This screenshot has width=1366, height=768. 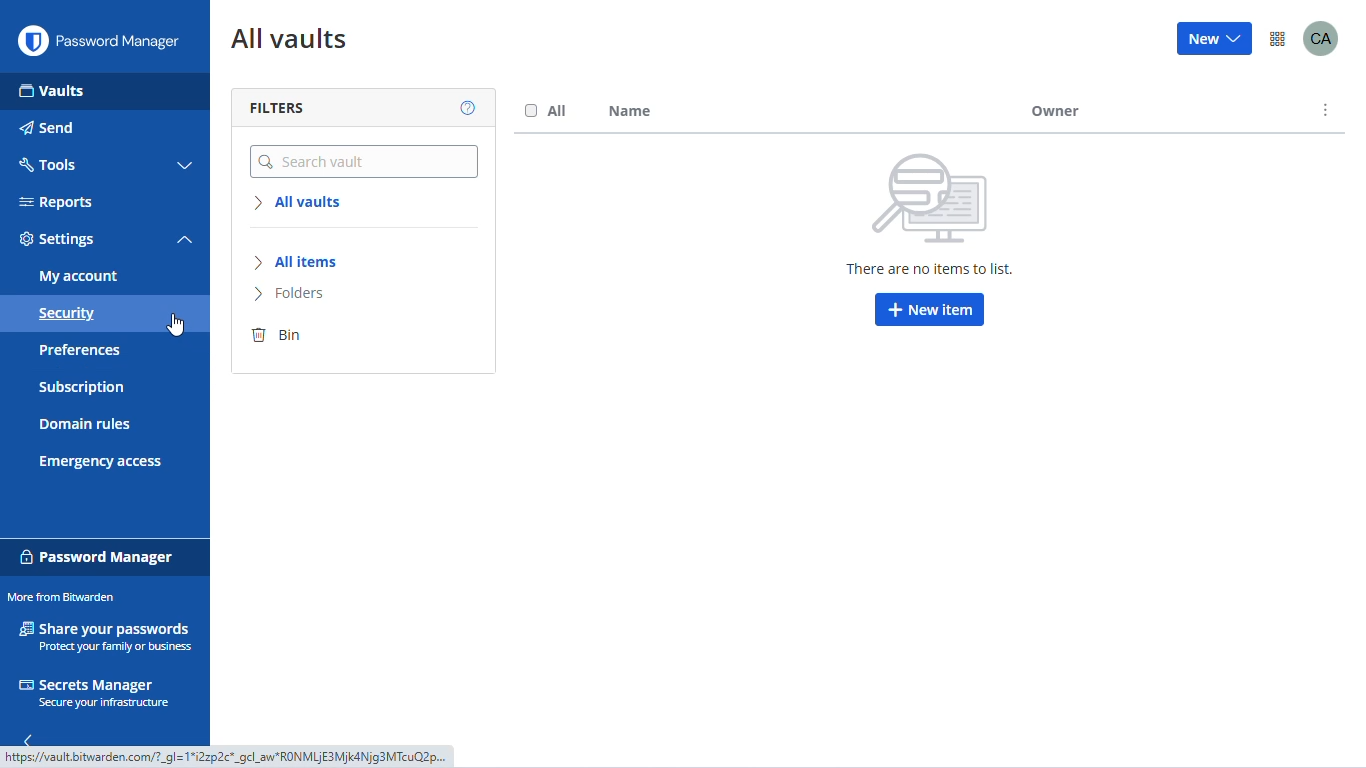 I want to click on more, so click(x=1327, y=110).